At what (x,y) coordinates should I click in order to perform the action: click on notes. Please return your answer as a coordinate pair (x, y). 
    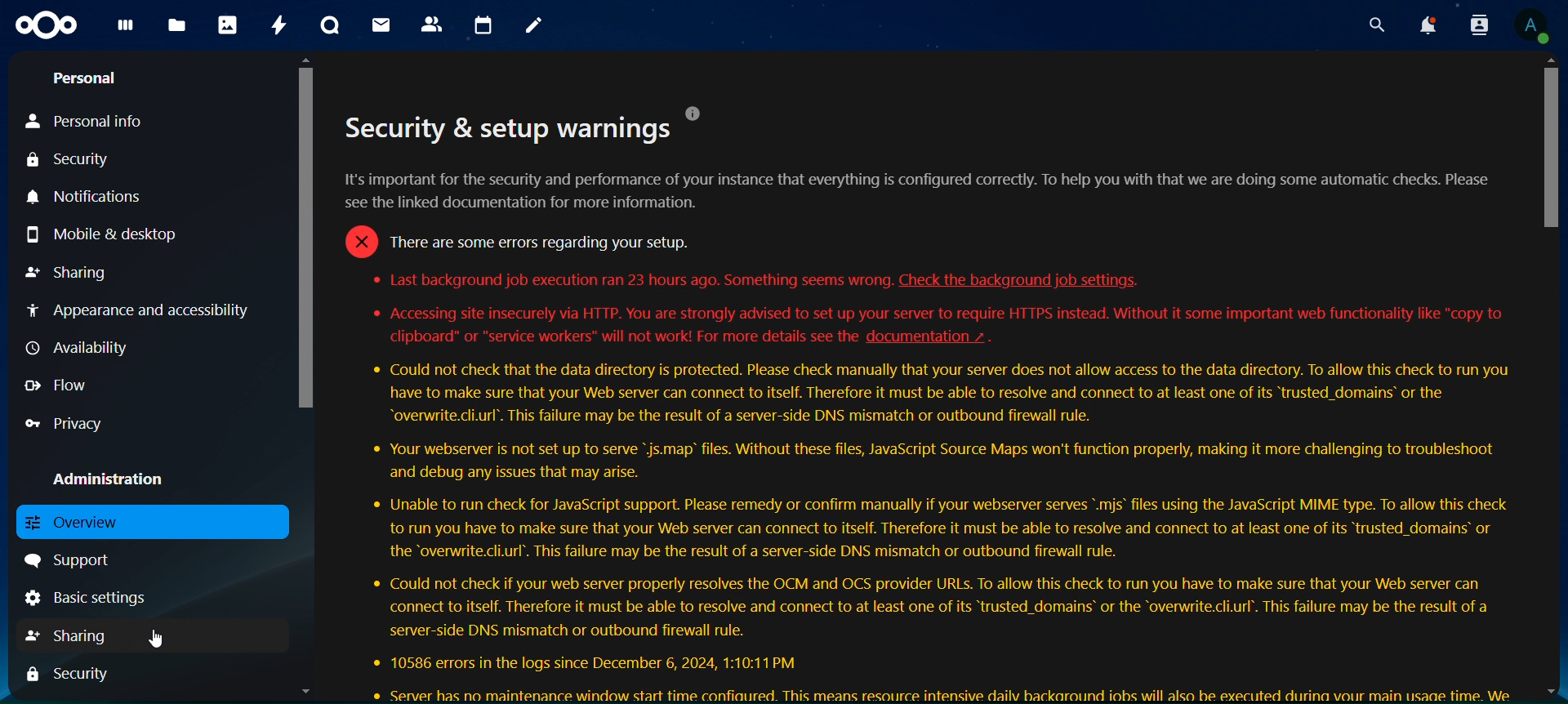
    Looking at the image, I should click on (535, 28).